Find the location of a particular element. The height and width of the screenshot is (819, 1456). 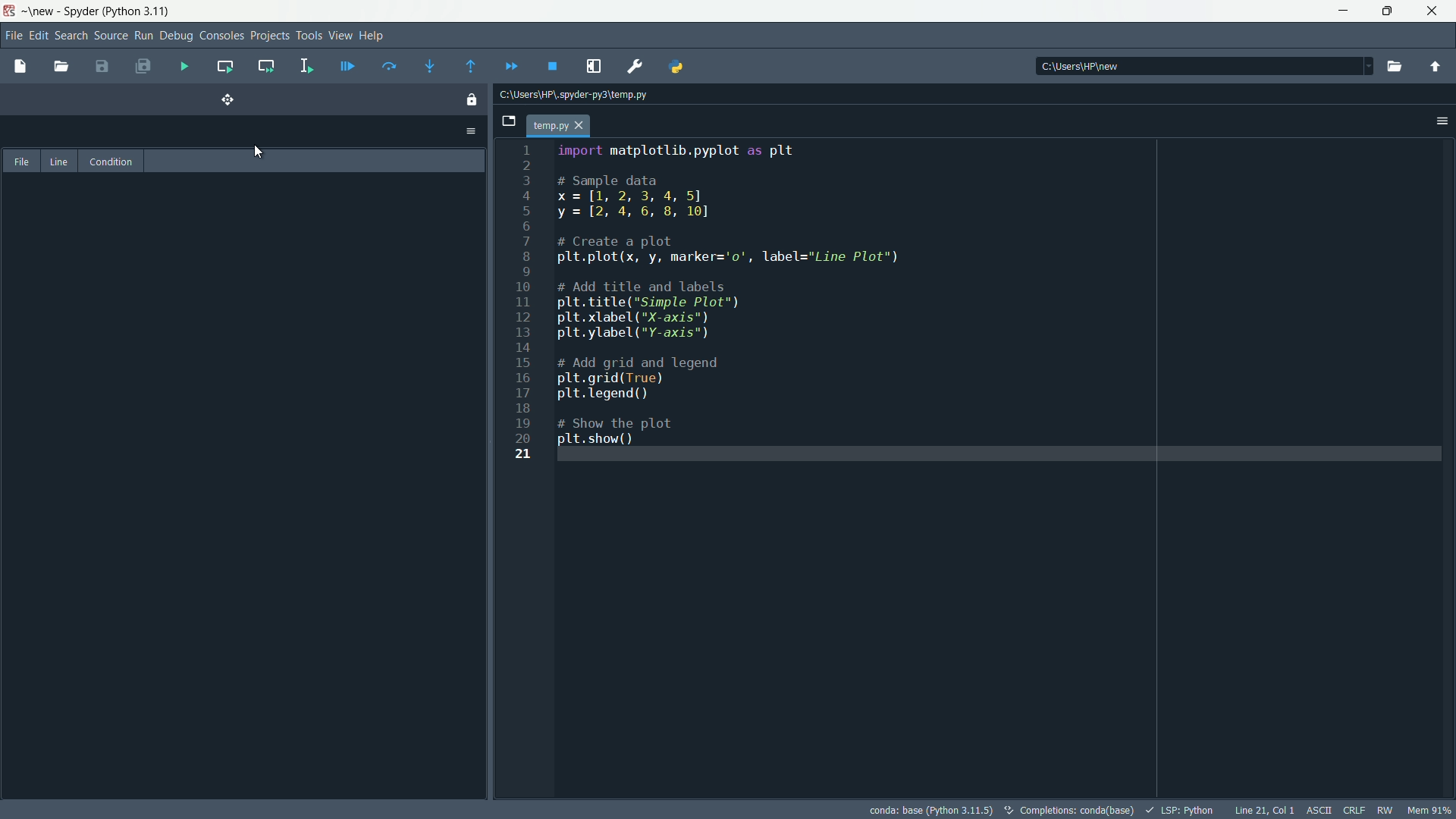

©, completions: conda(base) is located at coordinates (1068, 808).